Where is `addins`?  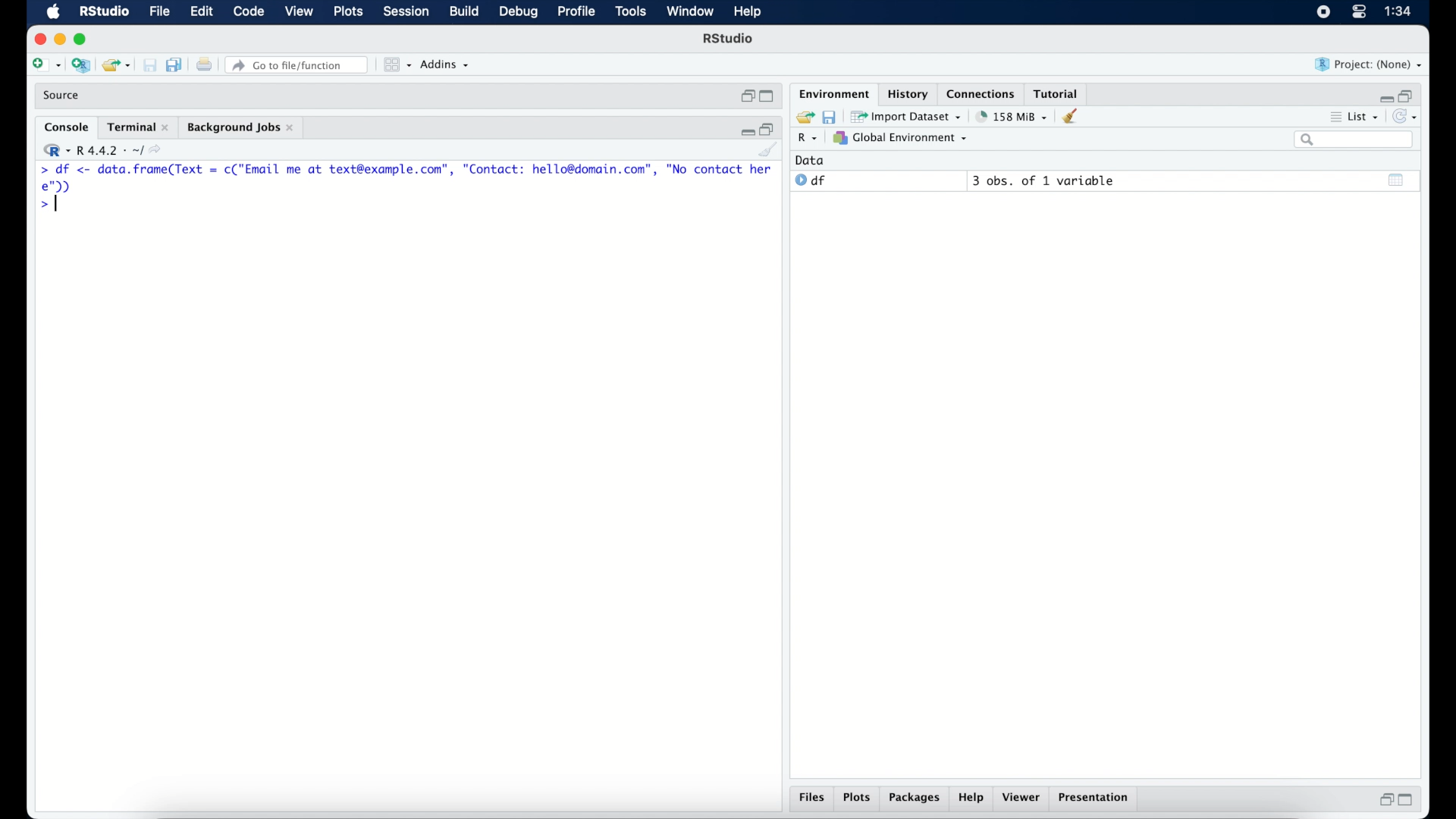
addins is located at coordinates (446, 65).